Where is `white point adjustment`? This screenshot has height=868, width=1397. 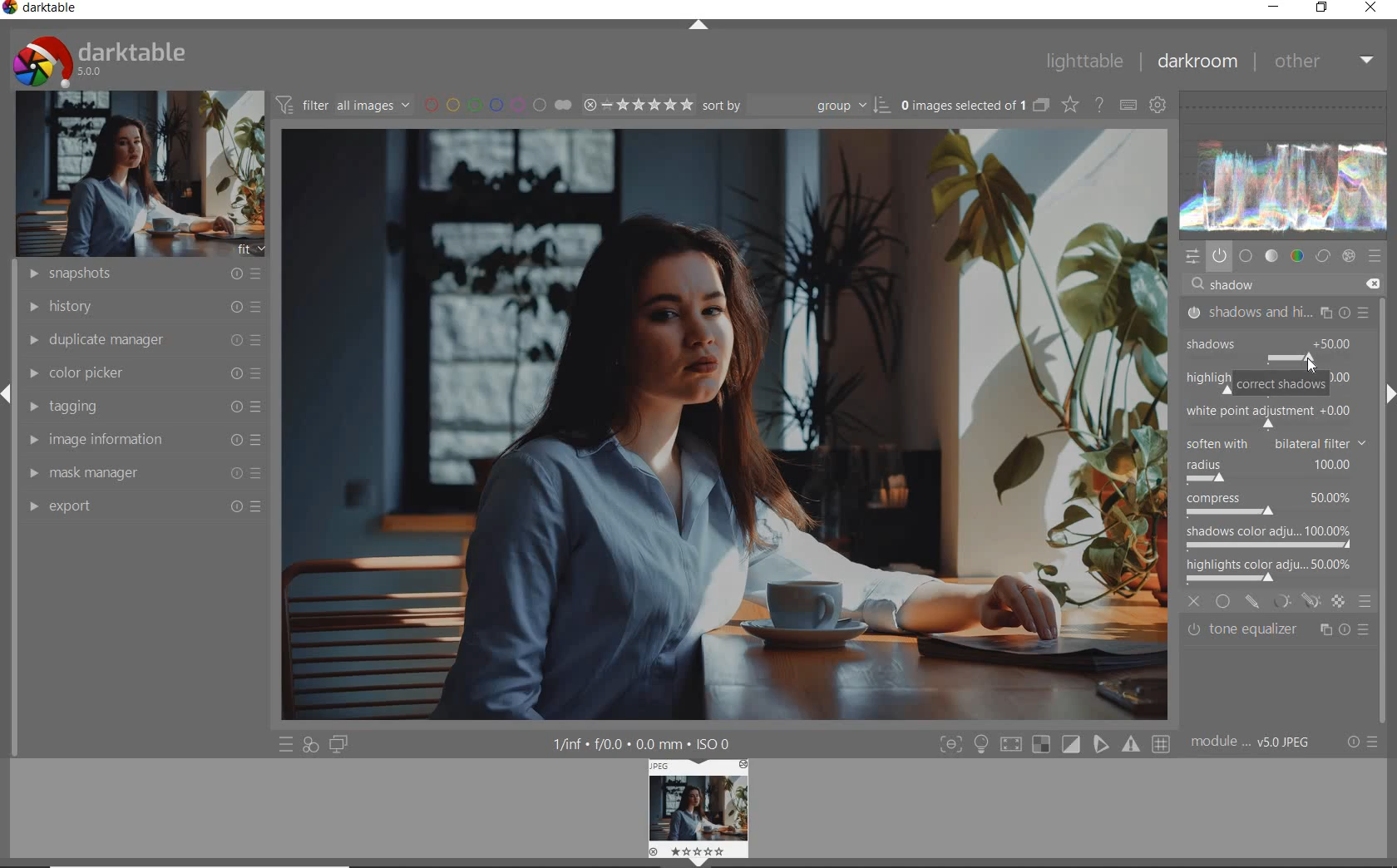
white point adjustment is located at coordinates (1267, 416).